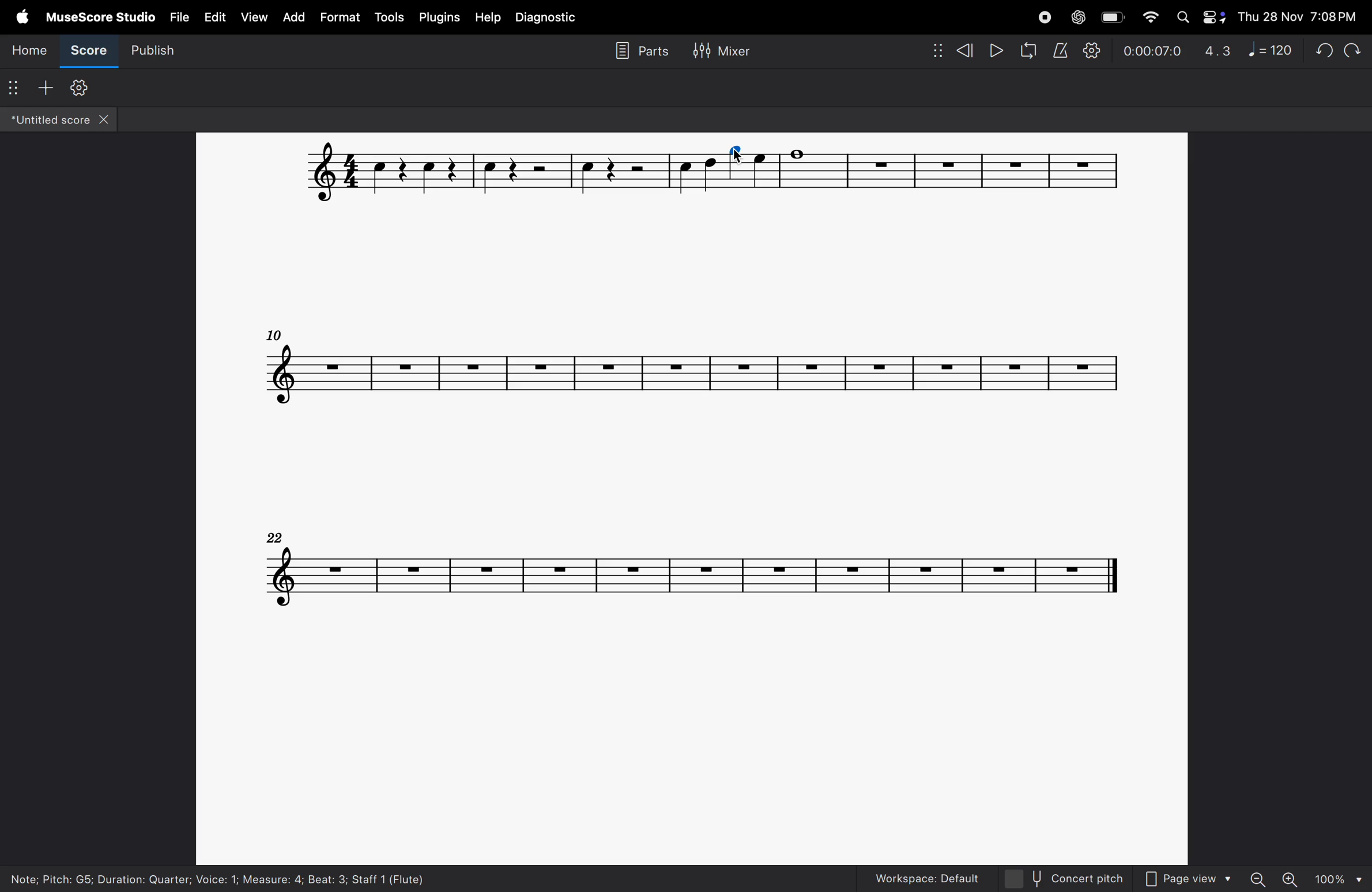 Image resolution: width=1372 pixels, height=892 pixels. What do you see at coordinates (1081, 17) in the screenshot?
I see `chatgpt` at bounding box center [1081, 17].